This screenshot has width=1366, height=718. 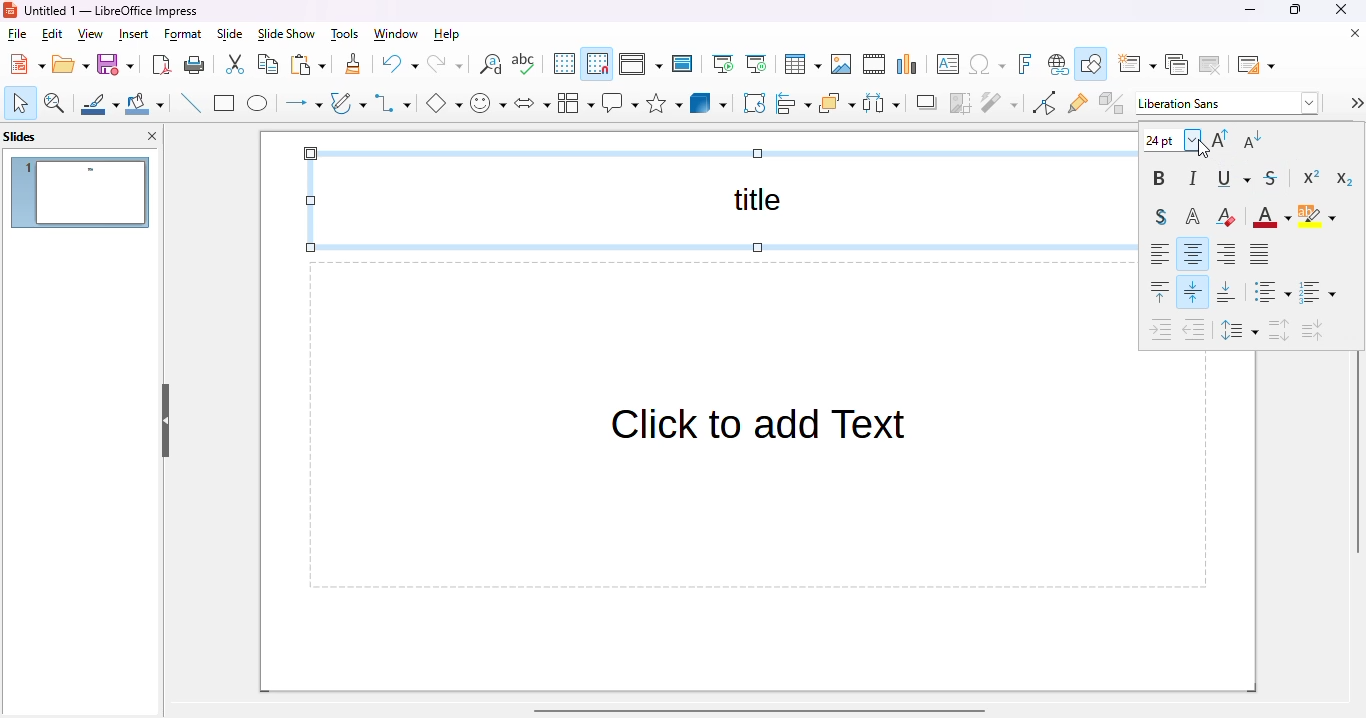 What do you see at coordinates (99, 103) in the screenshot?
I see `line color` at bounding box center [99, 103].